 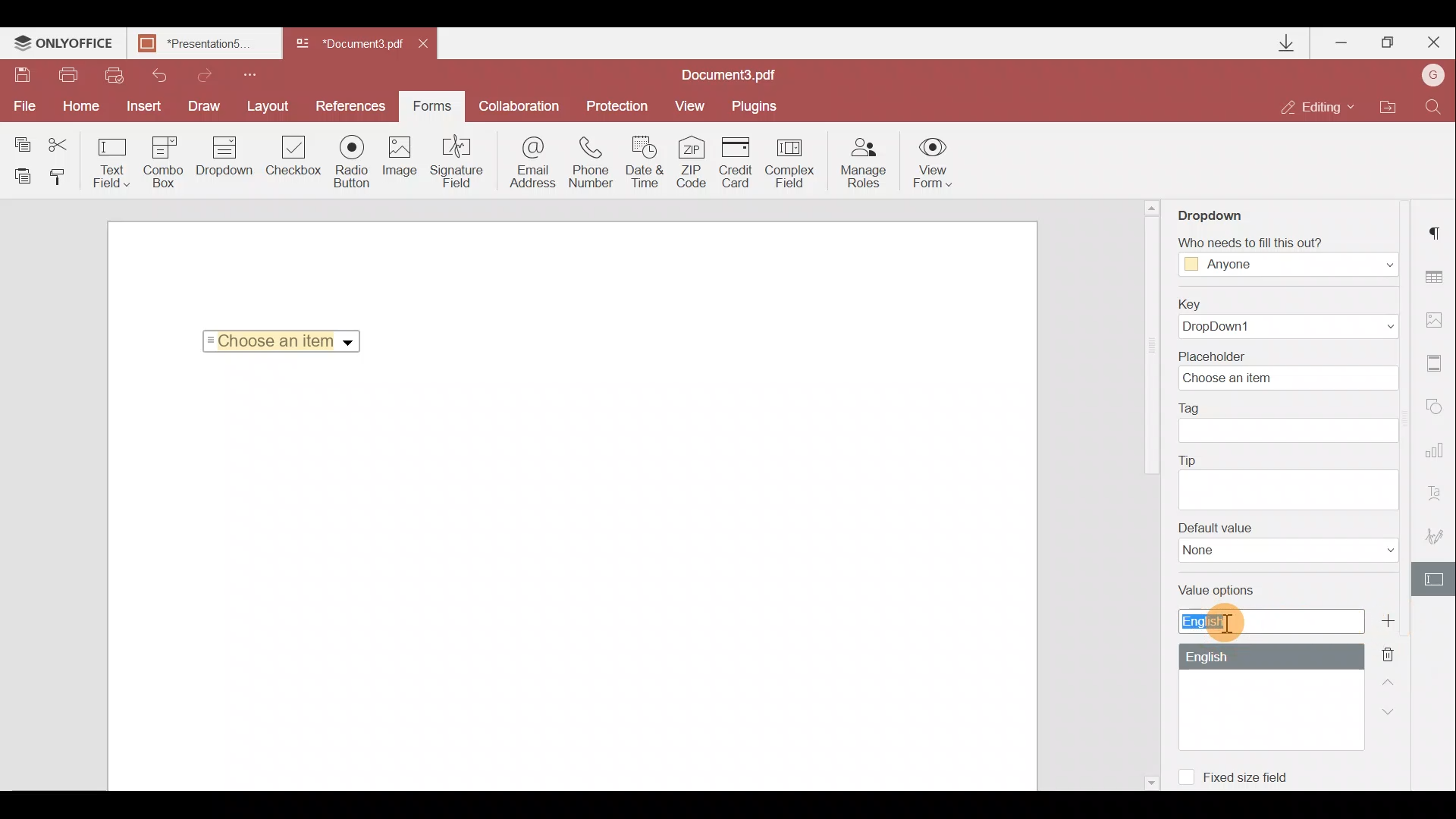 What do you see at coordinates (1387, 108) in the screenshot?
I see `Open file location` at bounding box center [1387, 108].